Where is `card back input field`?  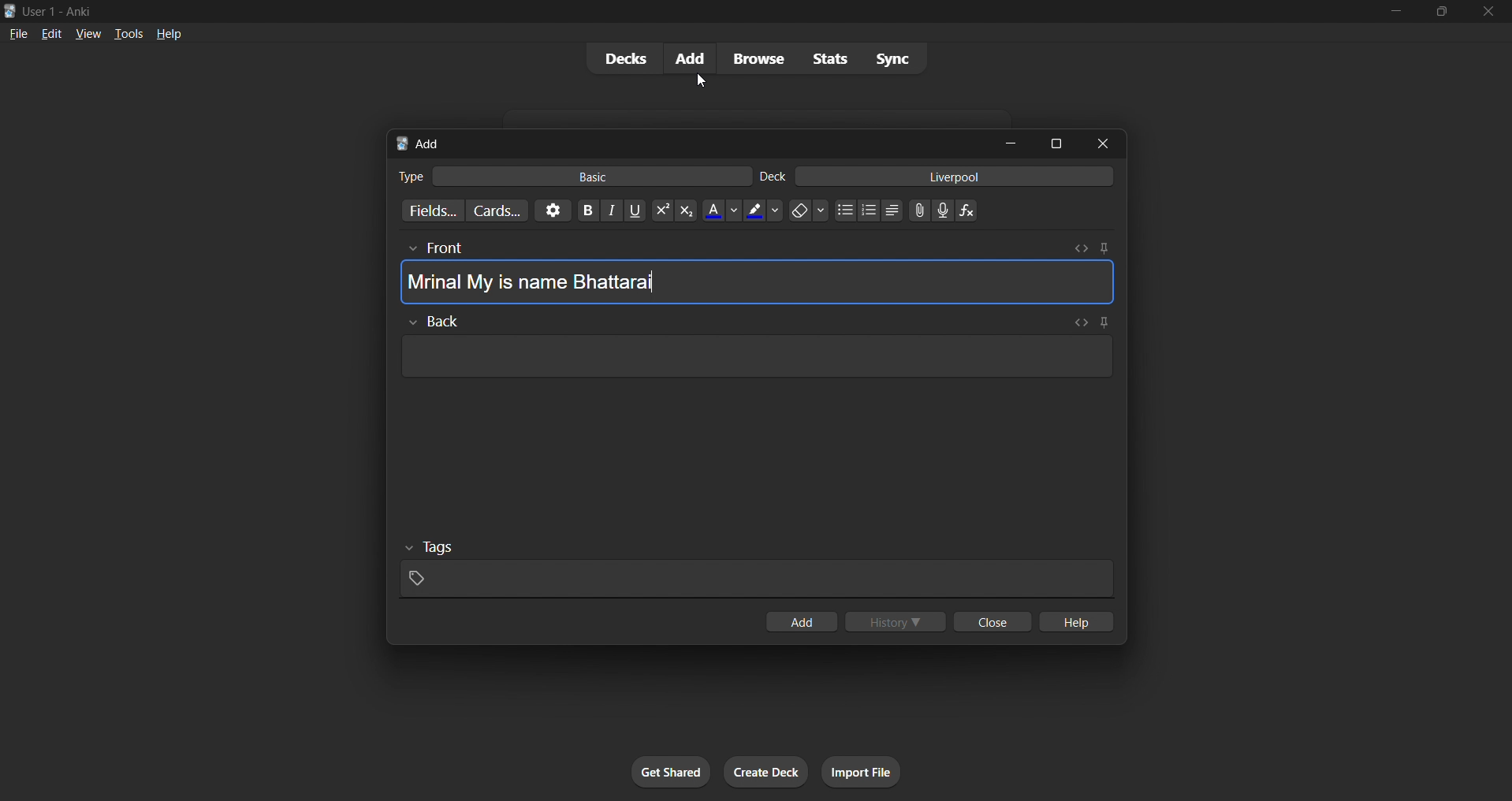
card back input field is located at coordinates (751, 353).